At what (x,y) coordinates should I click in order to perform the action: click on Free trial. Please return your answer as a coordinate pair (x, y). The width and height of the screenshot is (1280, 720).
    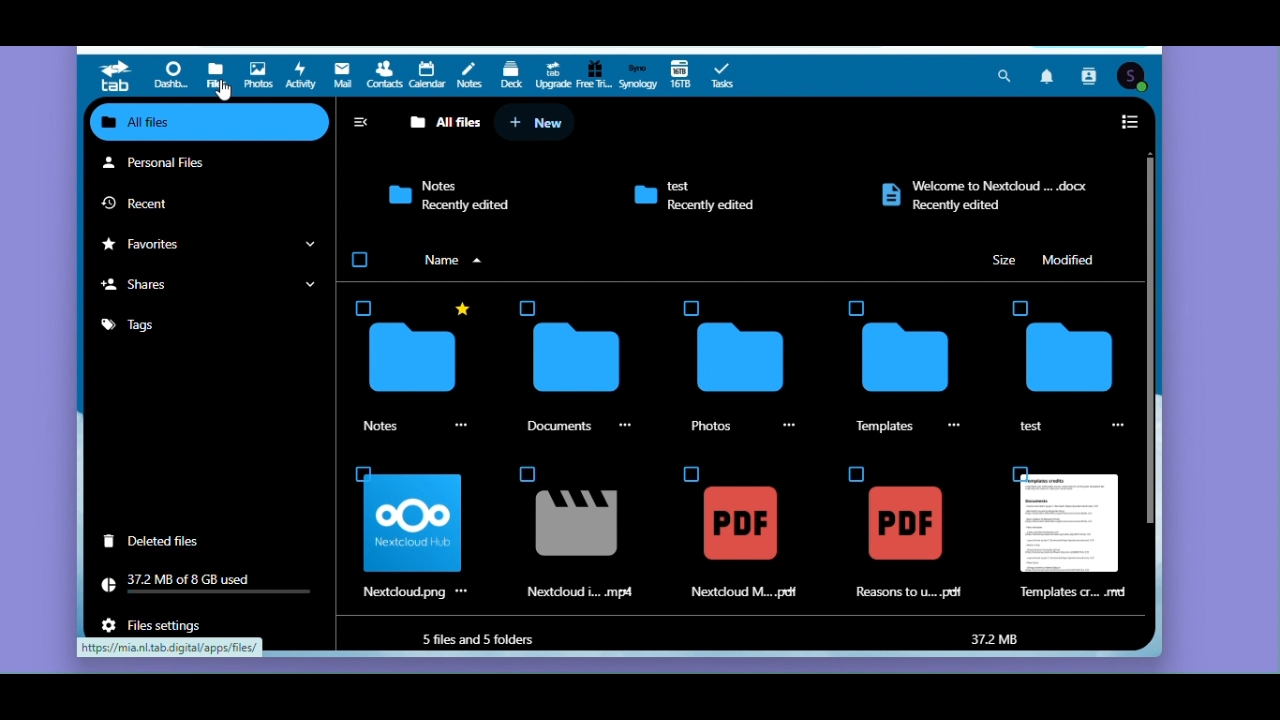
    Looking at the image, I should click on (594, 73).